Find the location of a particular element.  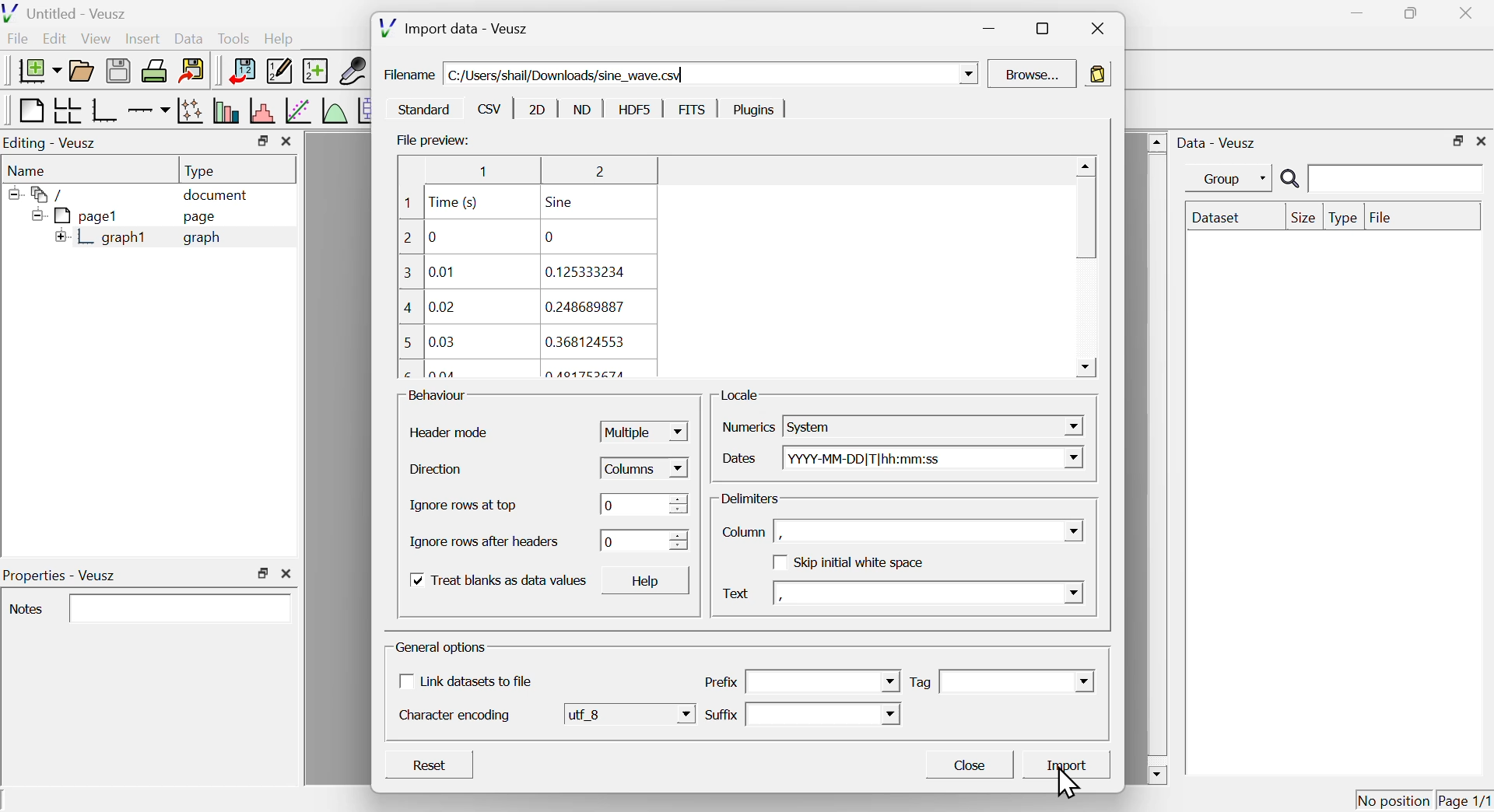

0 is located at coordinates (643, 504).